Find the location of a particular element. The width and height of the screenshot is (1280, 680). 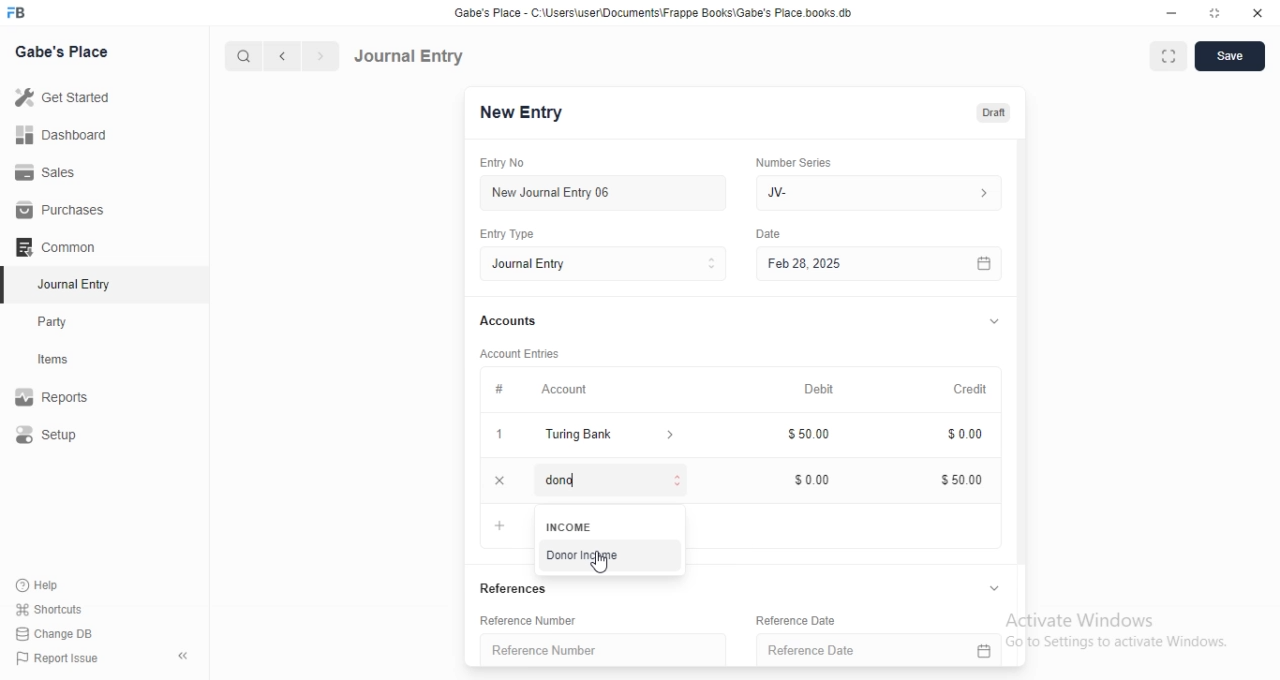

) Report Issue is located at coordinates (59, 659).